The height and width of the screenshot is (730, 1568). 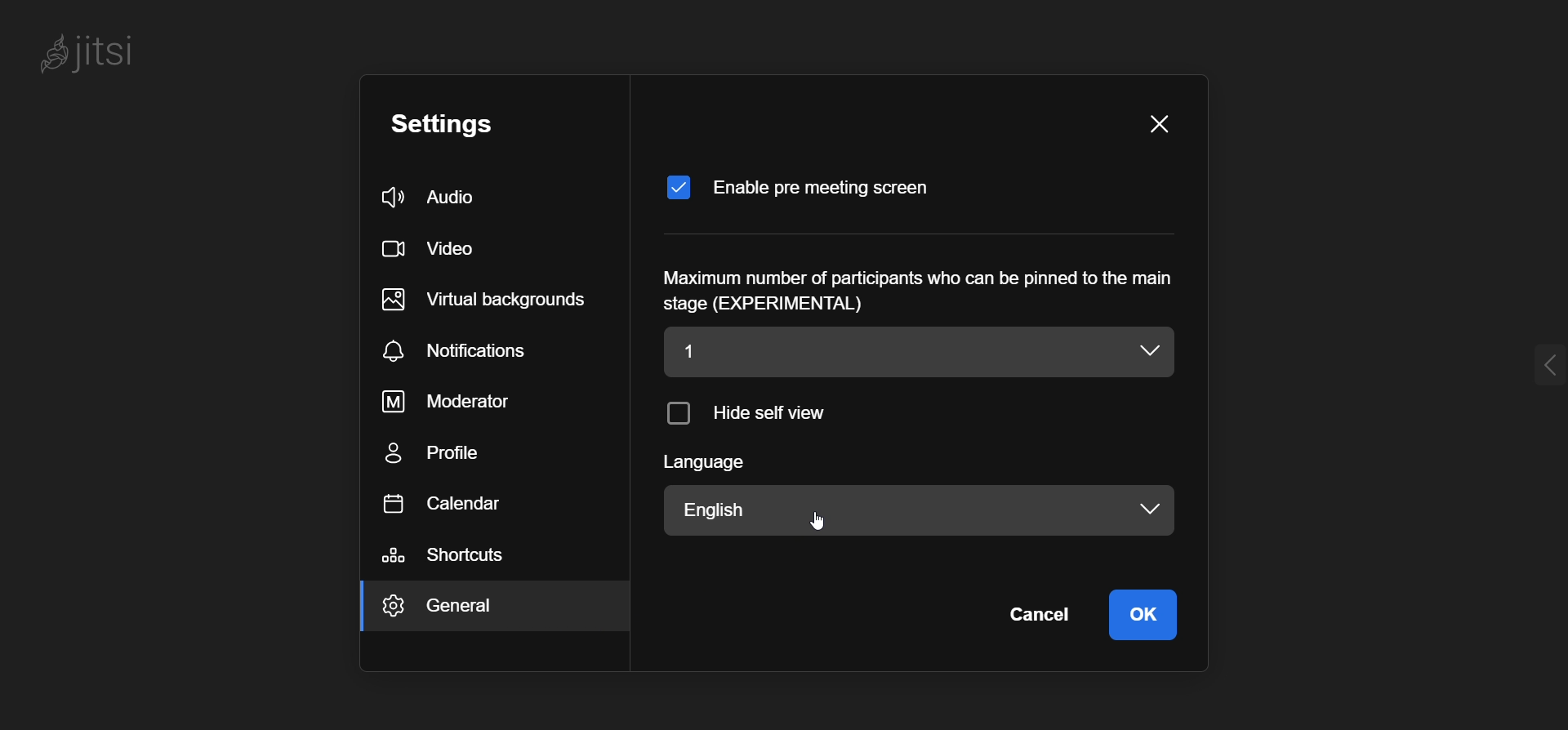 I want to click on moderator, so click(x=456, y=402).